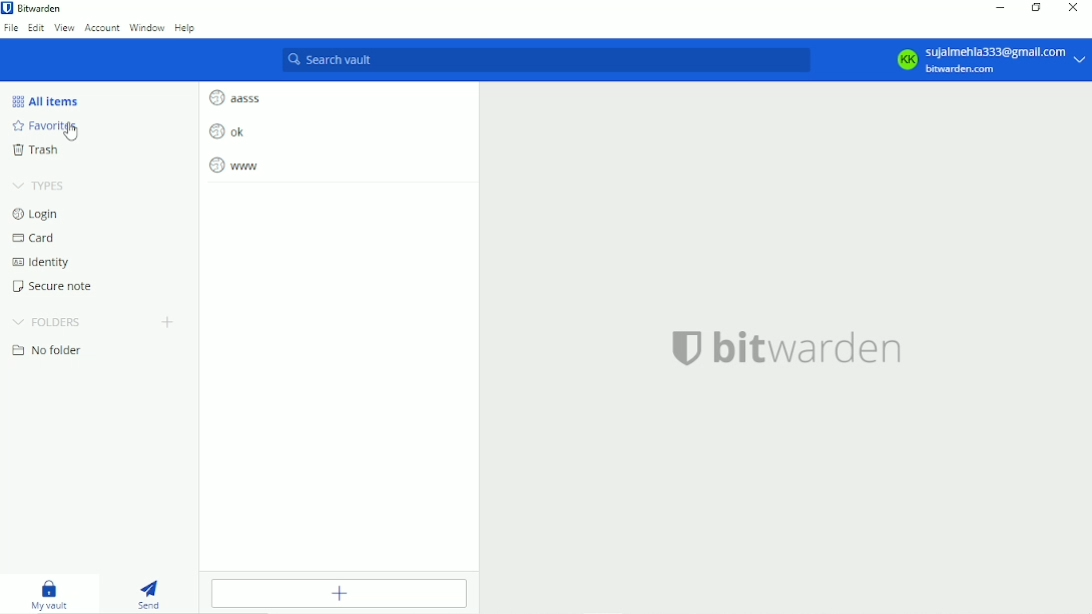  What do you see at coordinates (146, 28) in the screenshot?
I see `Window` at bounding box center [146, 28].